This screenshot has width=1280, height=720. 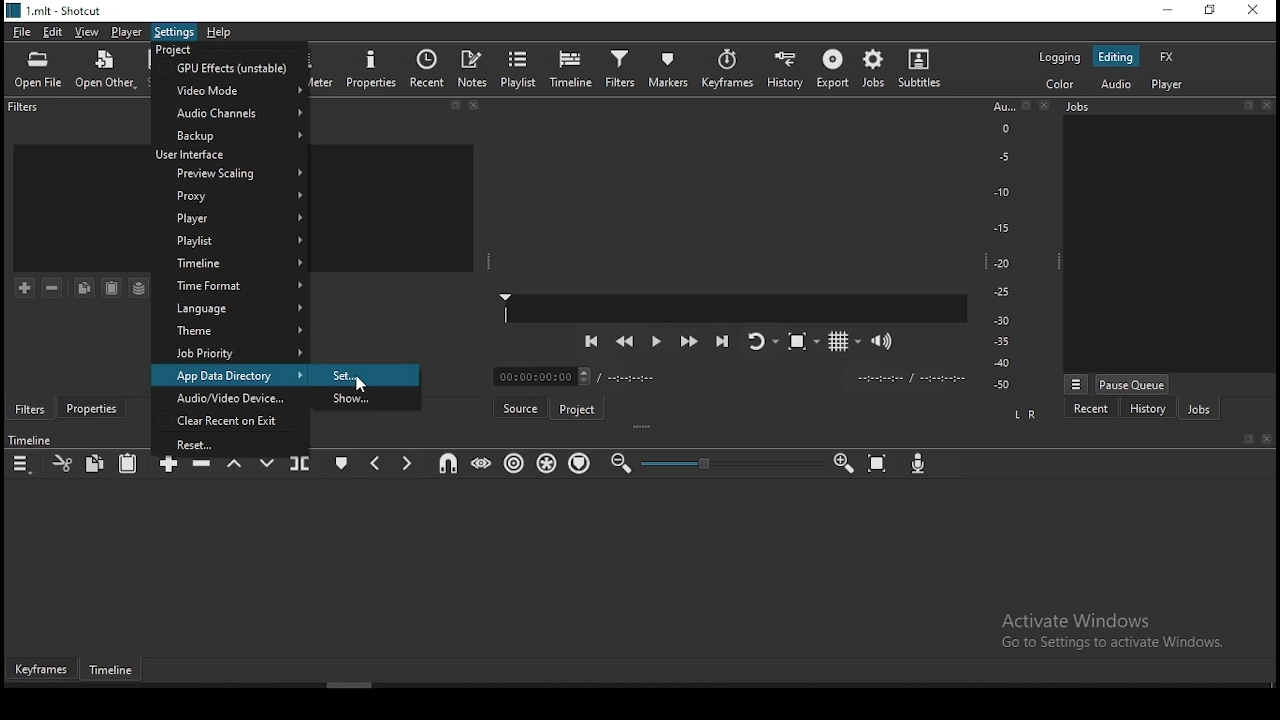 I want to click on remove selected filter, so click(x=51, y=287).